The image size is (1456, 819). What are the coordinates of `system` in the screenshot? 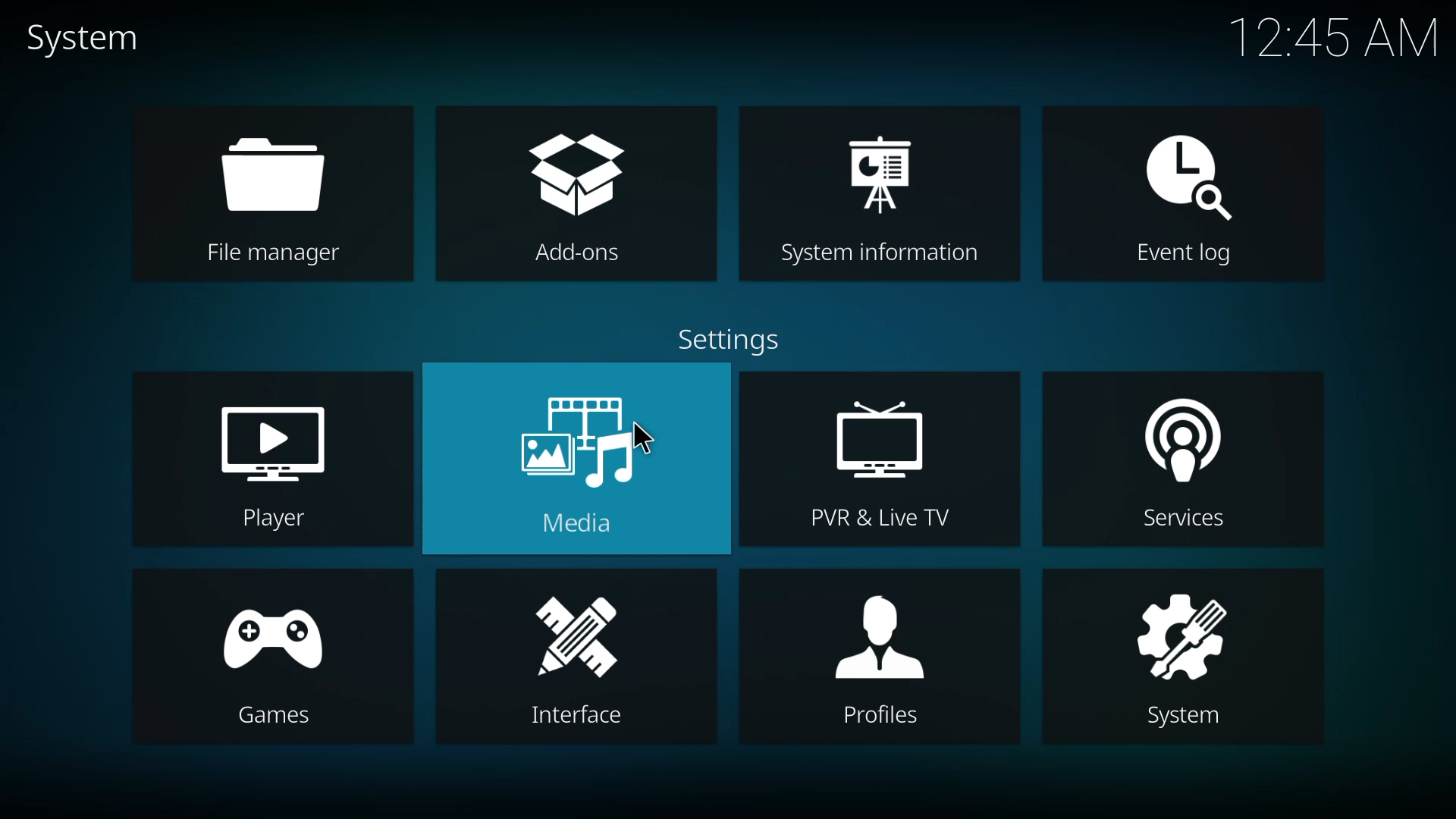 It's located at (1175, 656).